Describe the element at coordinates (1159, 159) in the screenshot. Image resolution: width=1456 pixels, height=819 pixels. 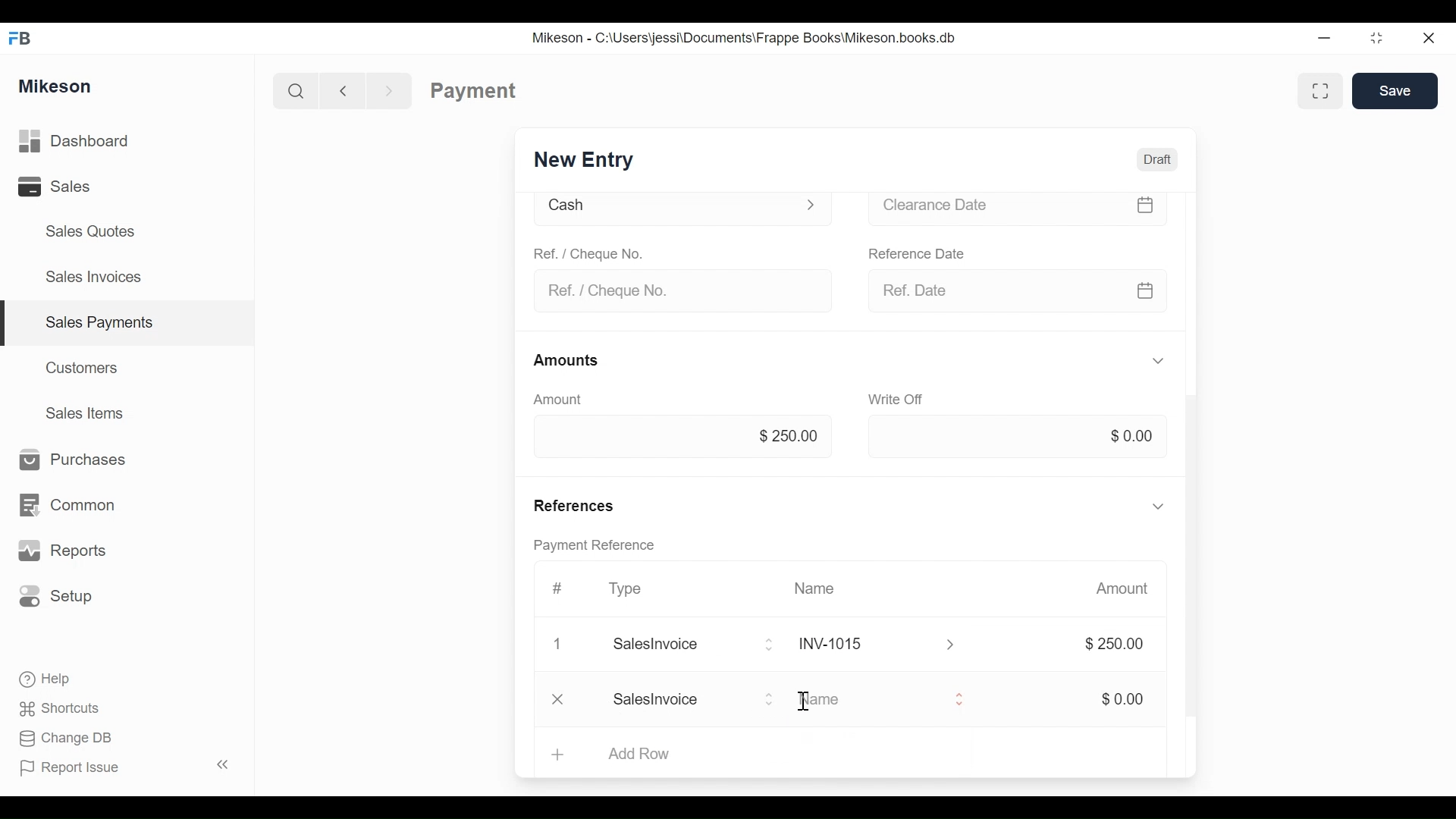
I see `Draft` at that location.